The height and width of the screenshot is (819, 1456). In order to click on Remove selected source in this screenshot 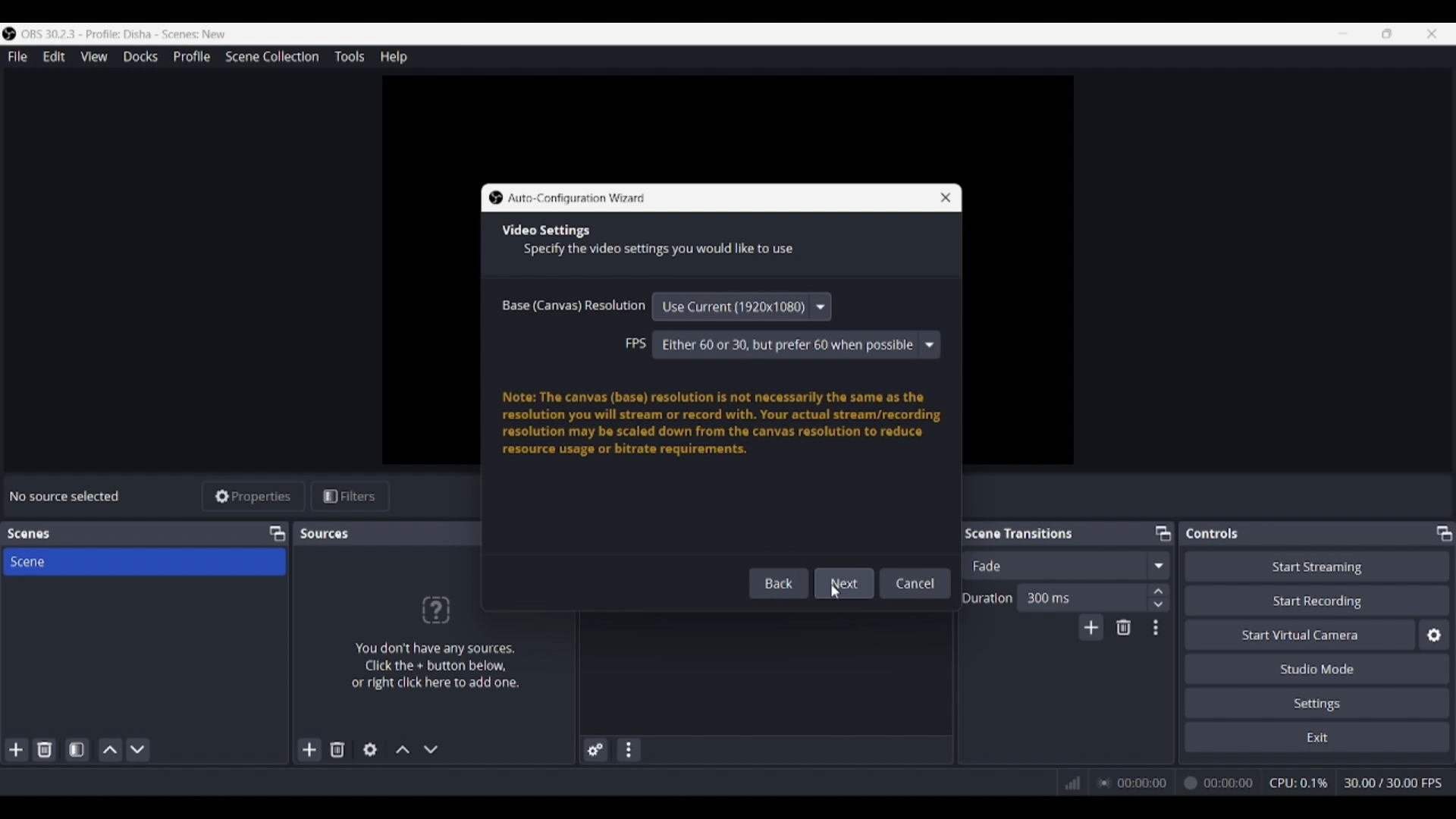, I will do `click(337, 749)`.